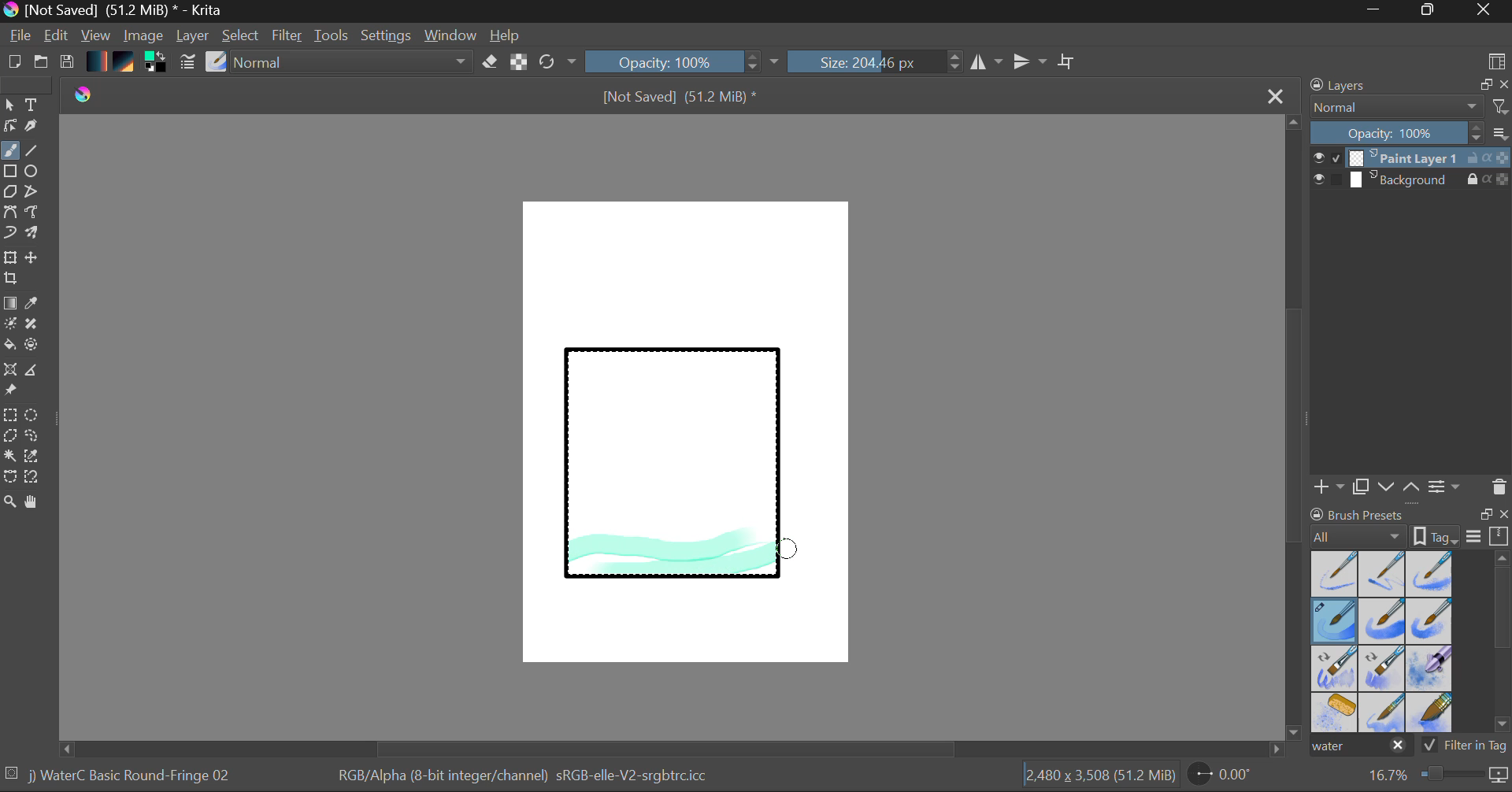 The image size is (1512, 792). Describe the element at coordinates (10, 302) in the screenshot. I see `Fill Gradient` at that location.